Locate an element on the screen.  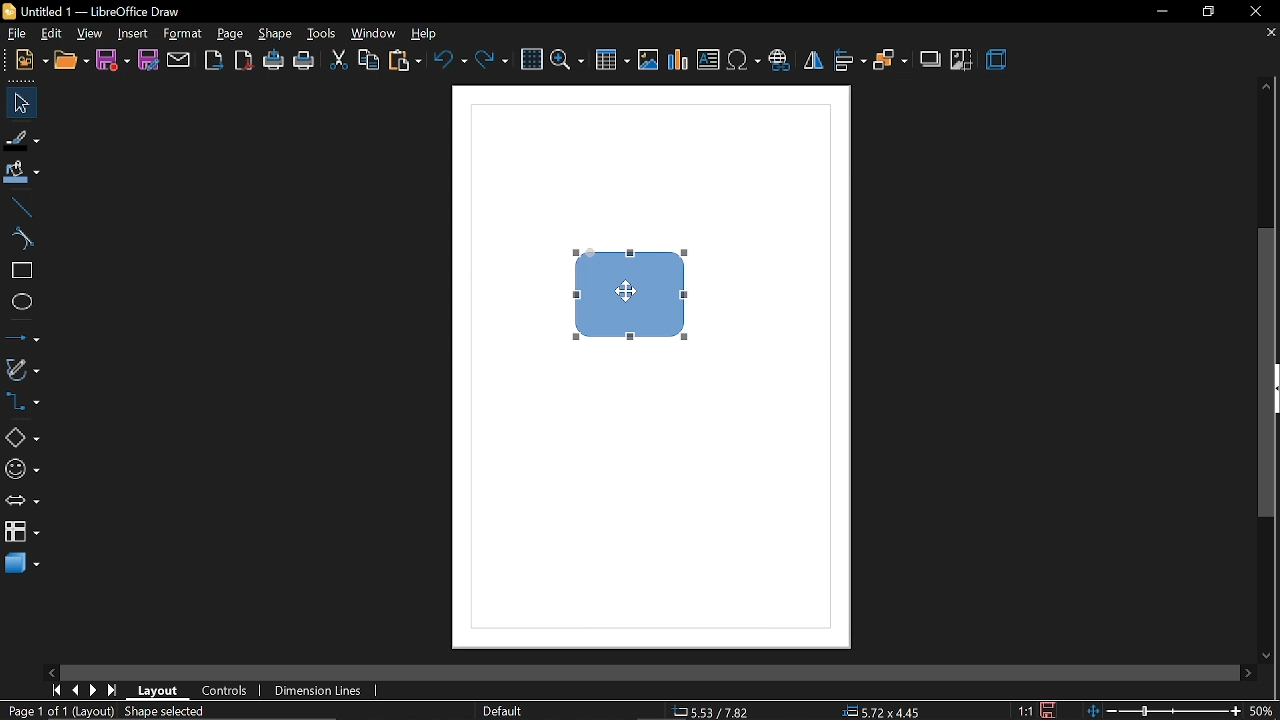
page is located at coordinates (232, 34).